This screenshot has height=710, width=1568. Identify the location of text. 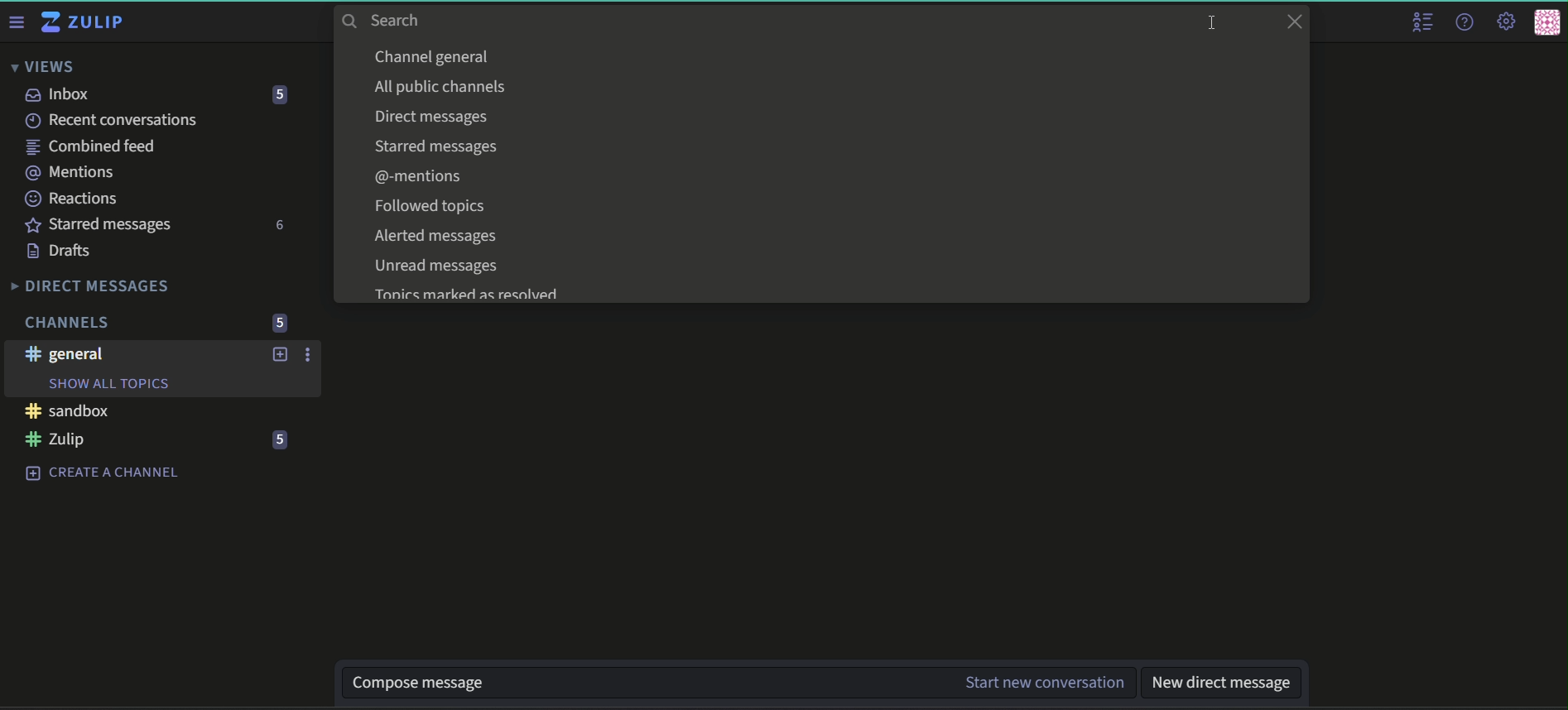
(436, 117).